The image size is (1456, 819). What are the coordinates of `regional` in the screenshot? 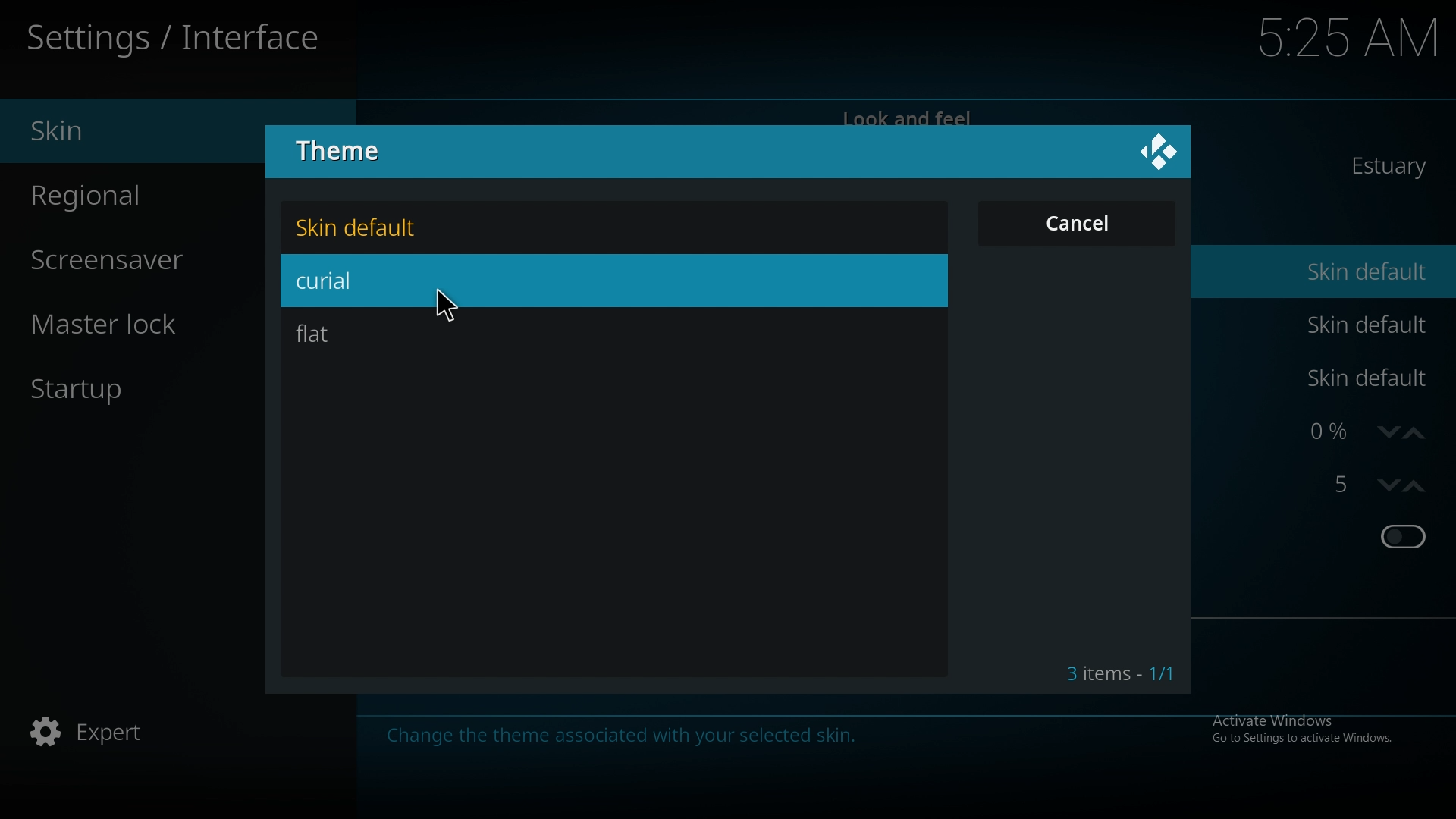 It's located at (128, 196).